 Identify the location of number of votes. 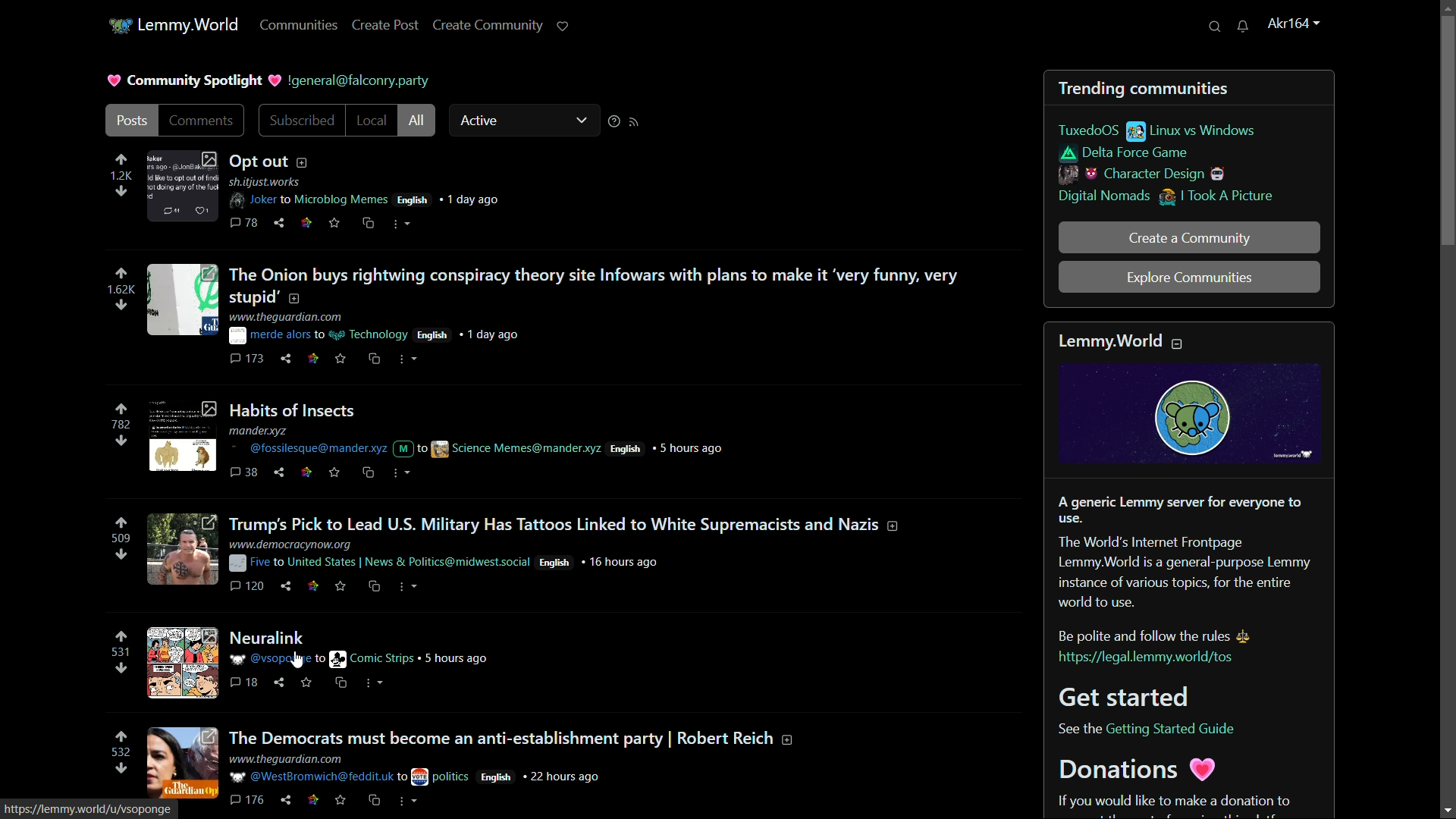
(121, 752).